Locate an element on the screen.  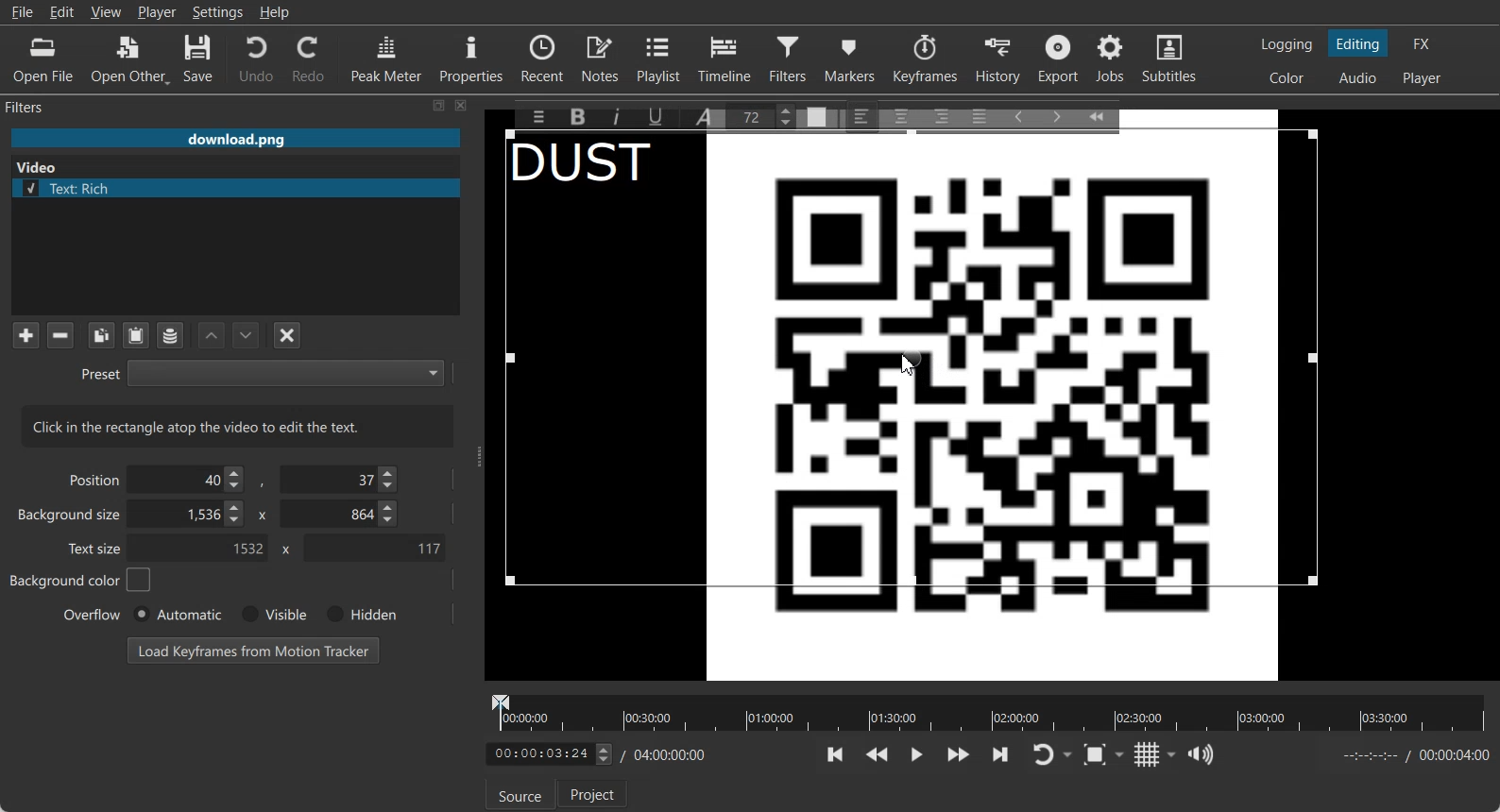
Show the volume control is located at coordinates (1201, 755).